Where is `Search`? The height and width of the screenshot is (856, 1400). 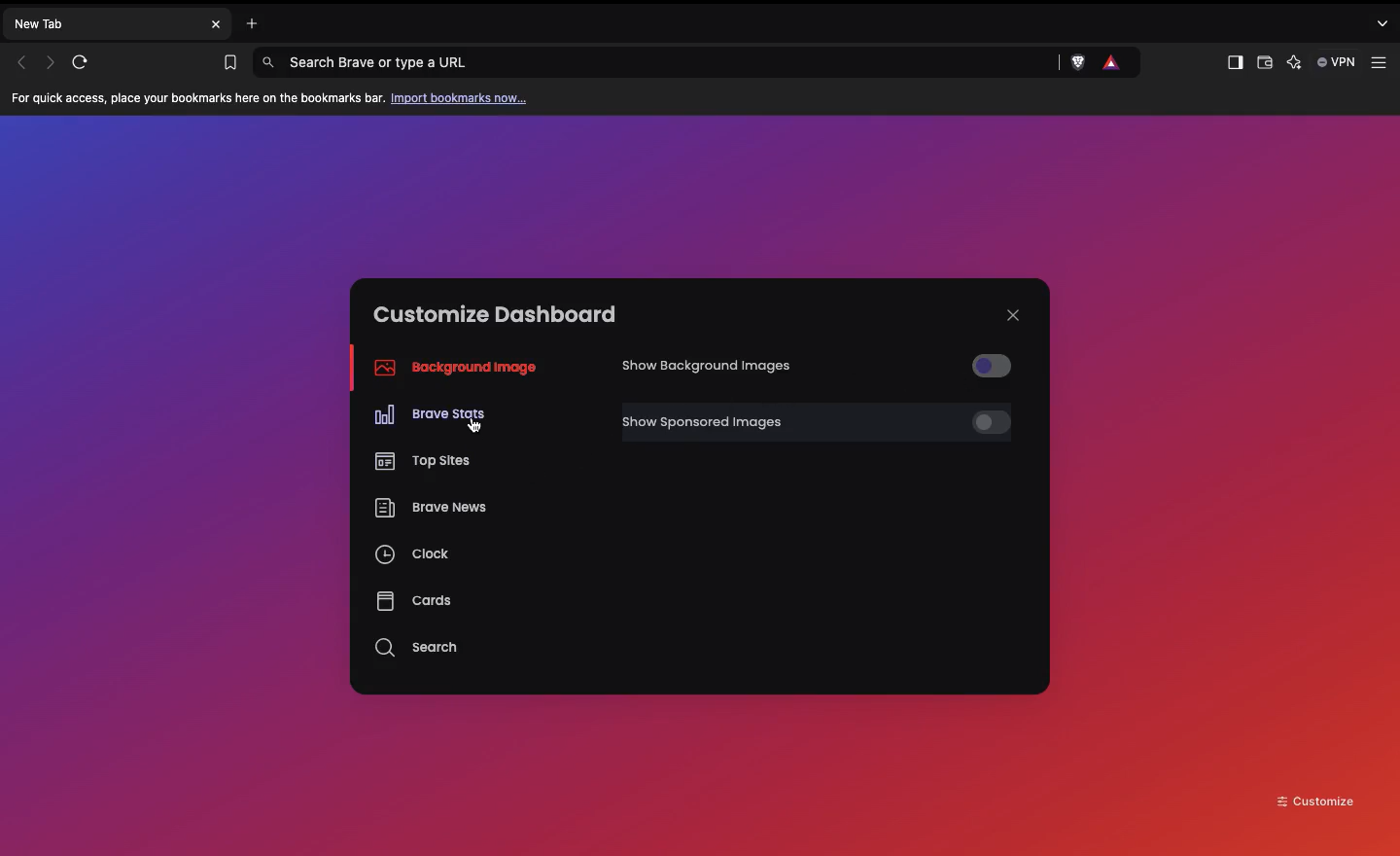 Search is located at coordinates (419, 648).